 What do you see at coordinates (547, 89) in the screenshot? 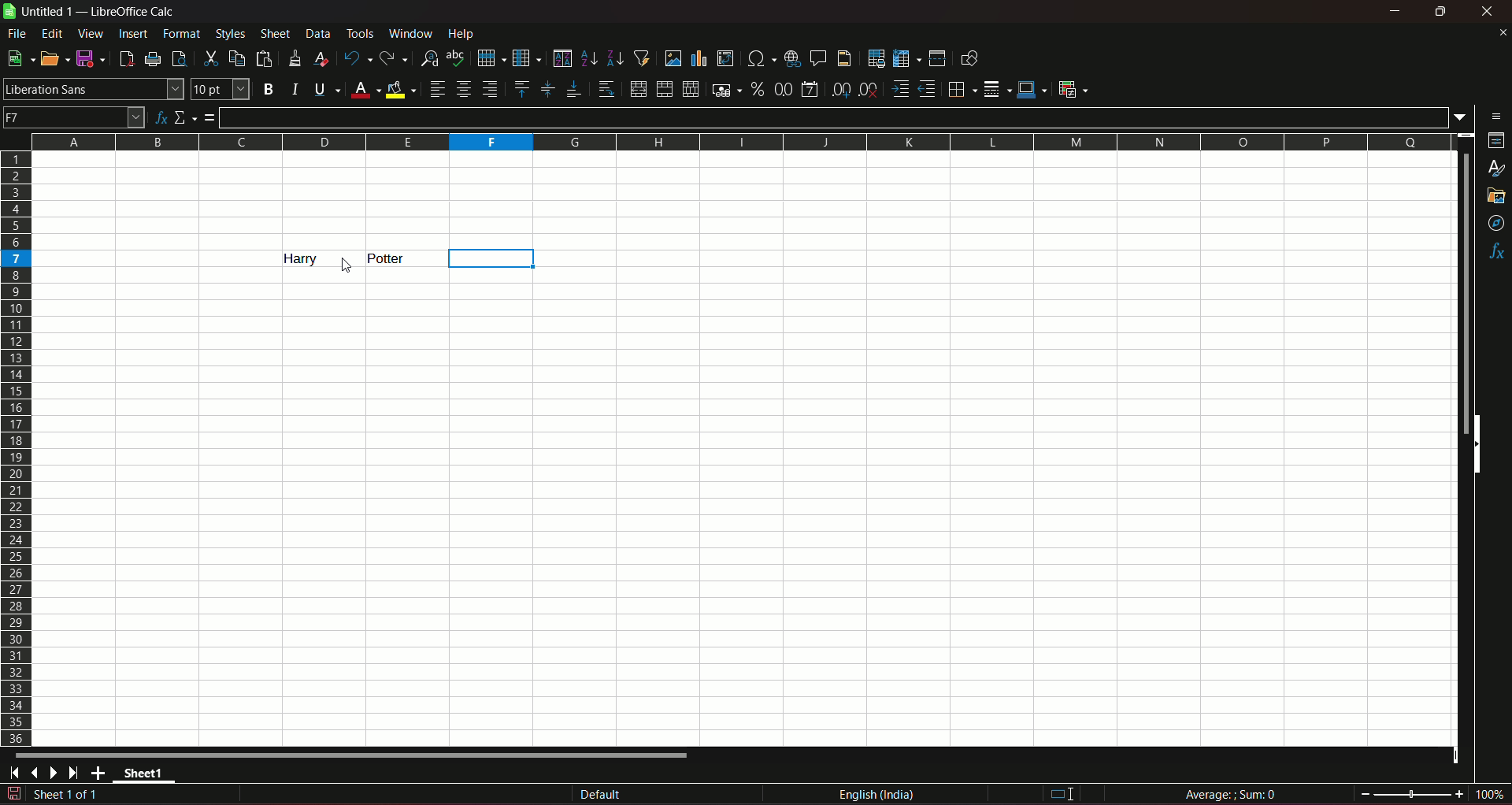
I see `center vertically` at bounding box center [547, 89].